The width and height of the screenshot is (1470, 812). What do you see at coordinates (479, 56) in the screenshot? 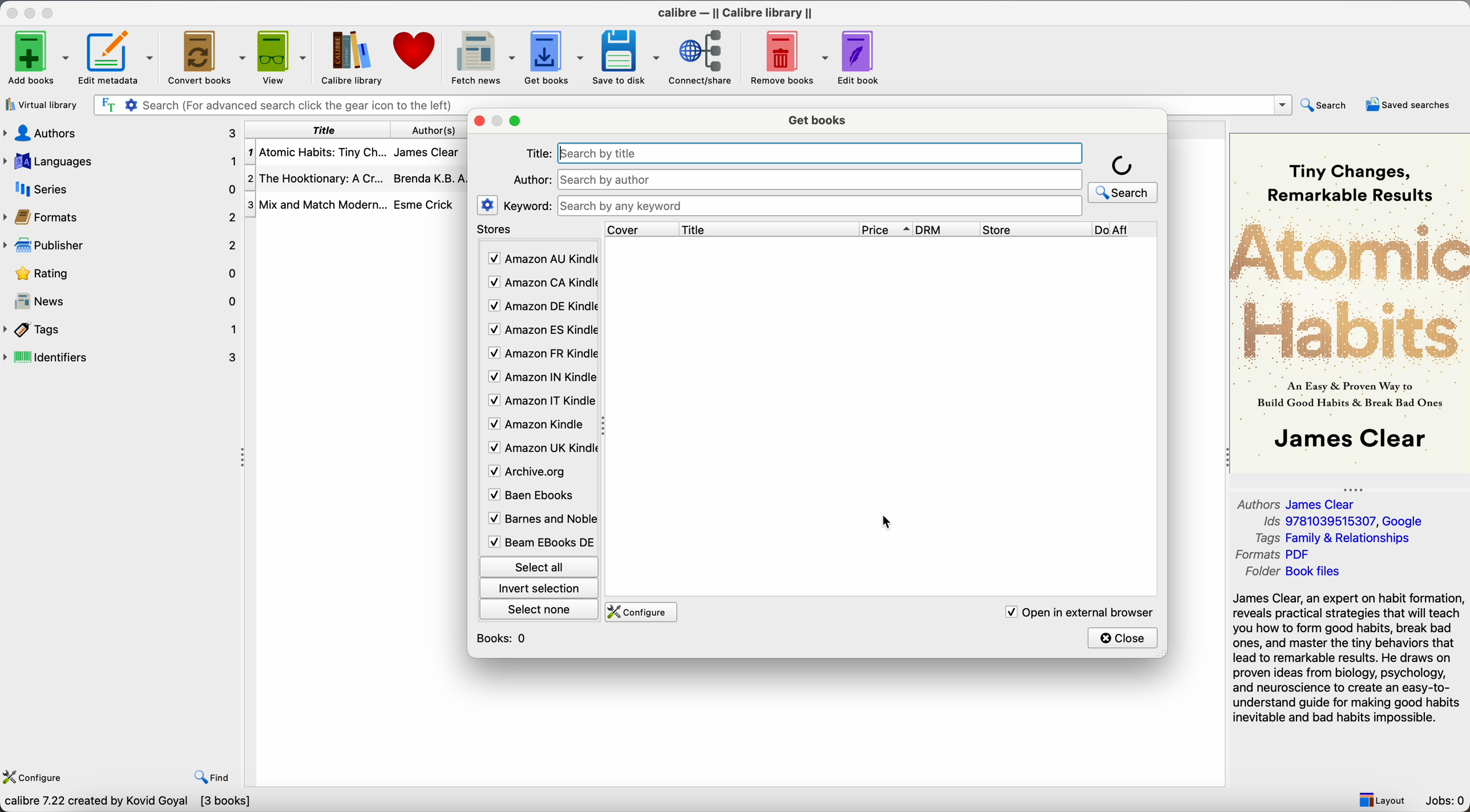
I see `fetch news` at bounding box center [479, 56].